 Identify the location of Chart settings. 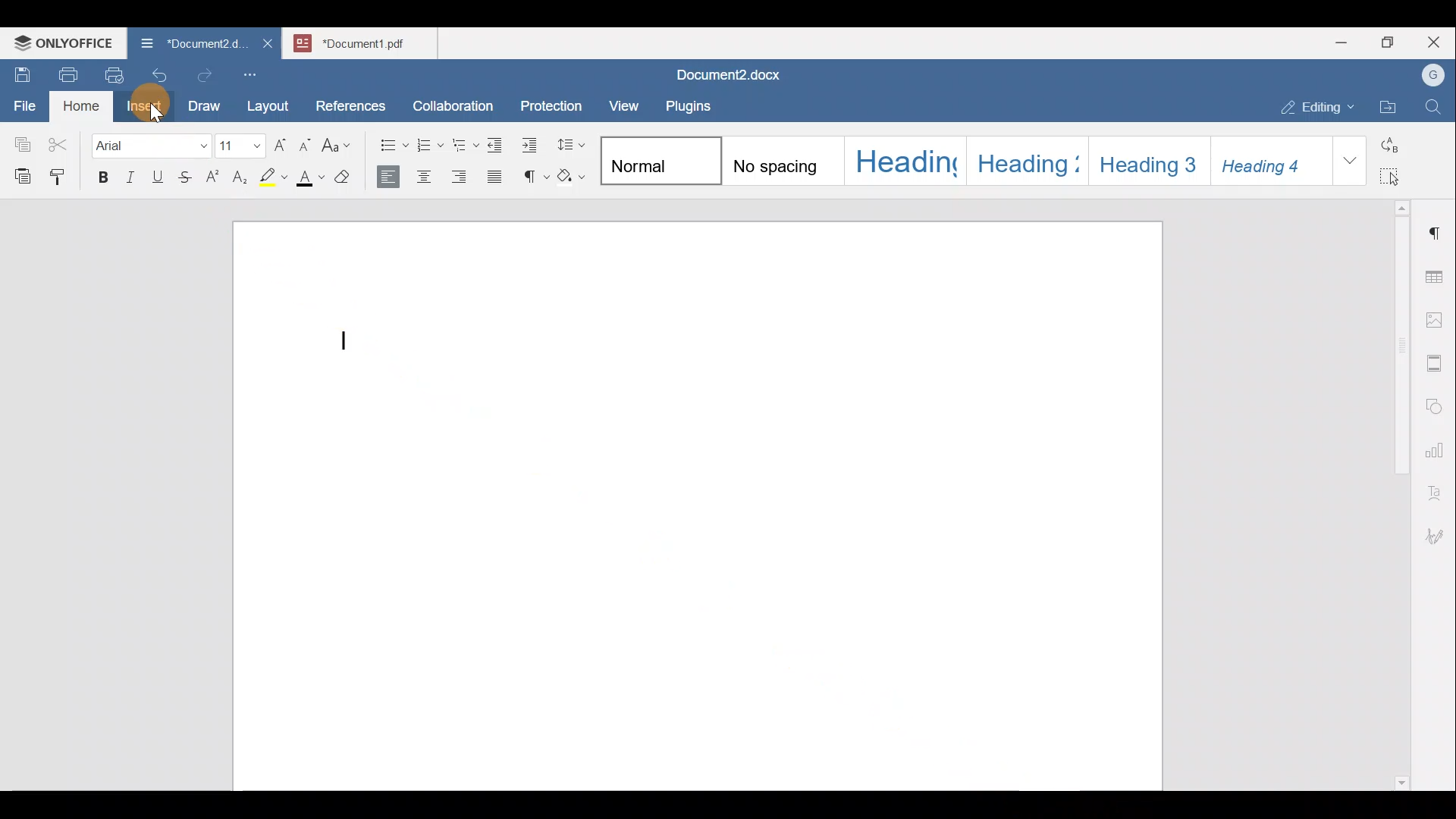
(1438, 444).